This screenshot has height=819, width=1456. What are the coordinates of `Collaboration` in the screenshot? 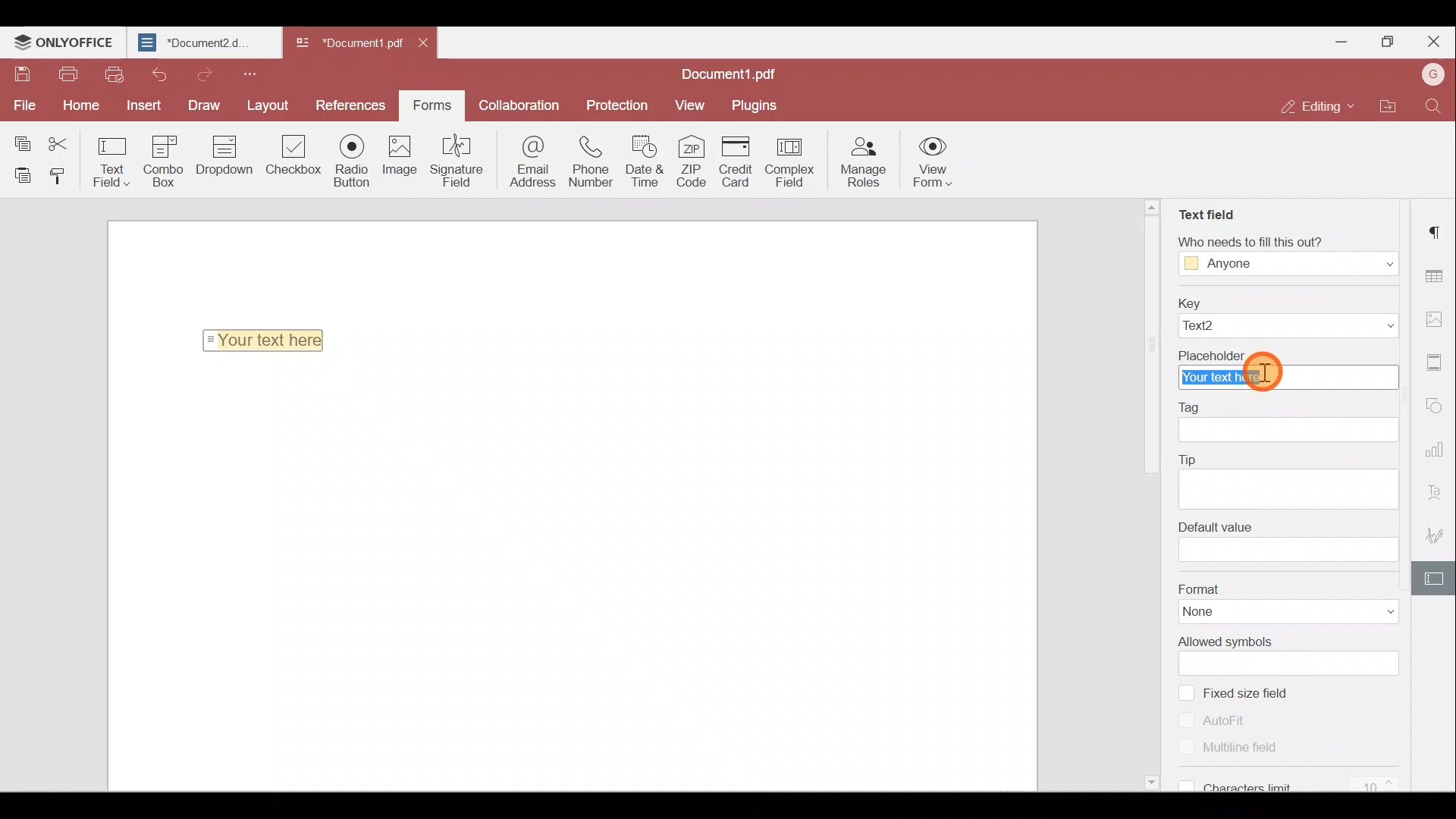 It's located at (524, 104).